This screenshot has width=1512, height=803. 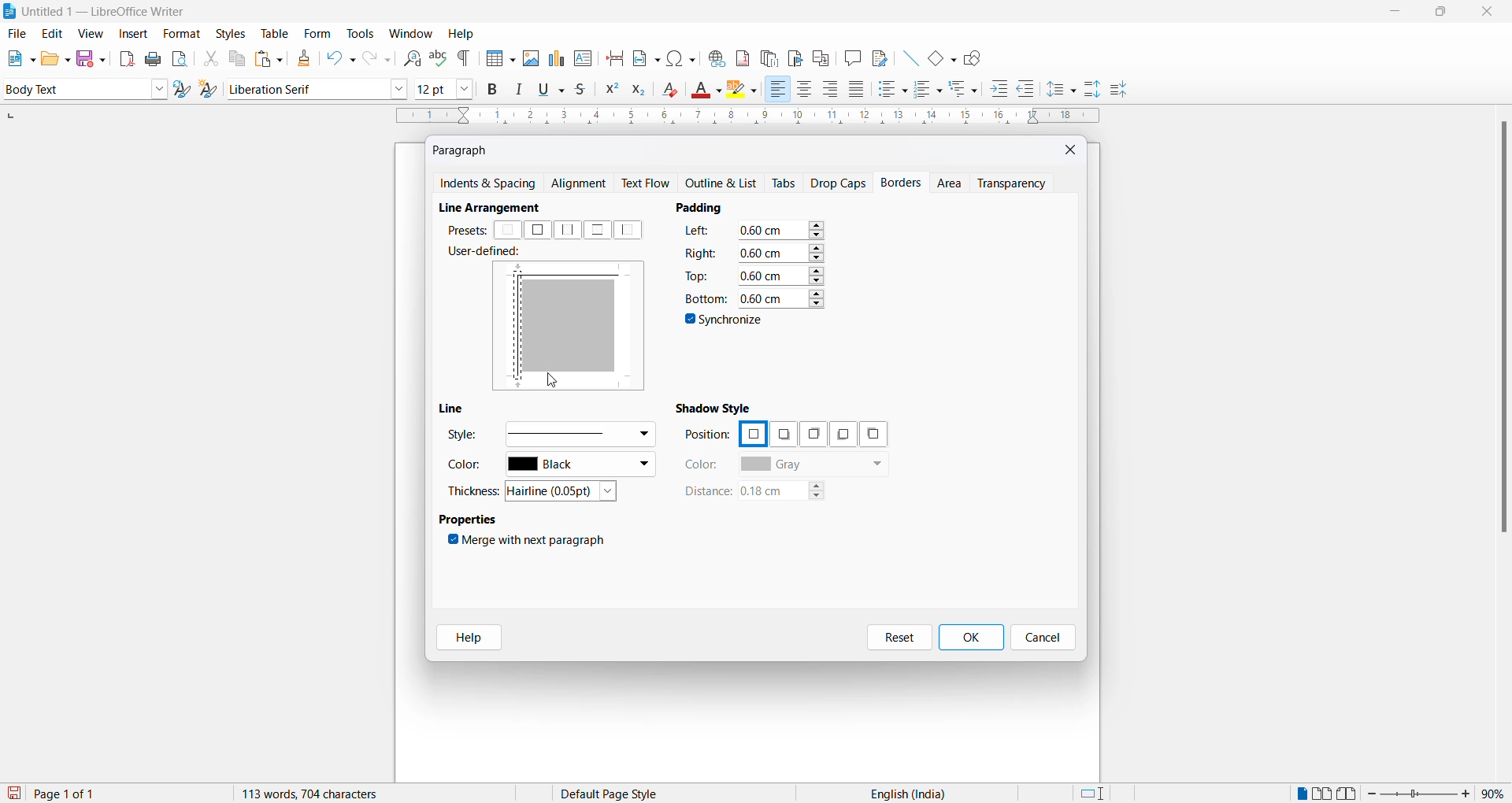 I want to click on copy, so click(x=235, y=58).